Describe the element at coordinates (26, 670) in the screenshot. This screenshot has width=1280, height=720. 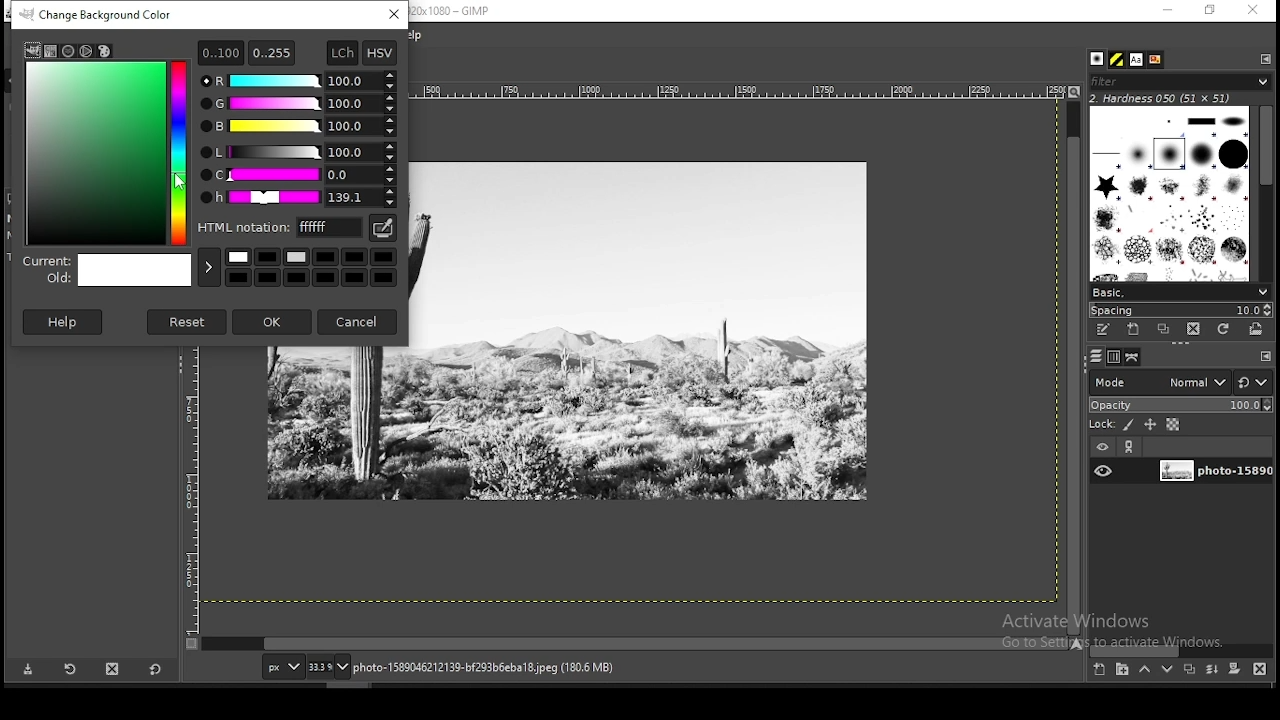
I see `save tool preset` at that location.